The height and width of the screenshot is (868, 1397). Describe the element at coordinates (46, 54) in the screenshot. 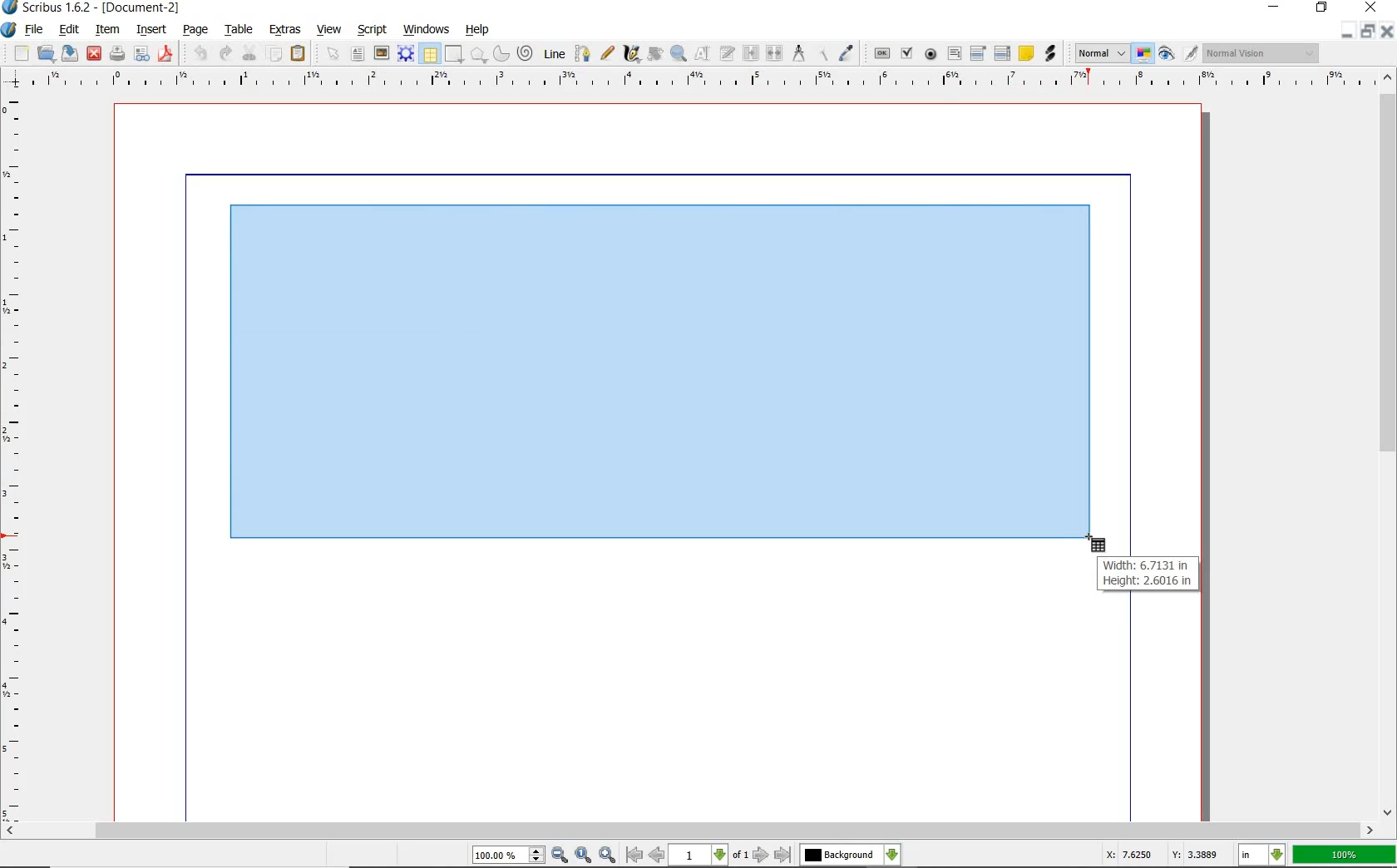

I see `open` at that location.